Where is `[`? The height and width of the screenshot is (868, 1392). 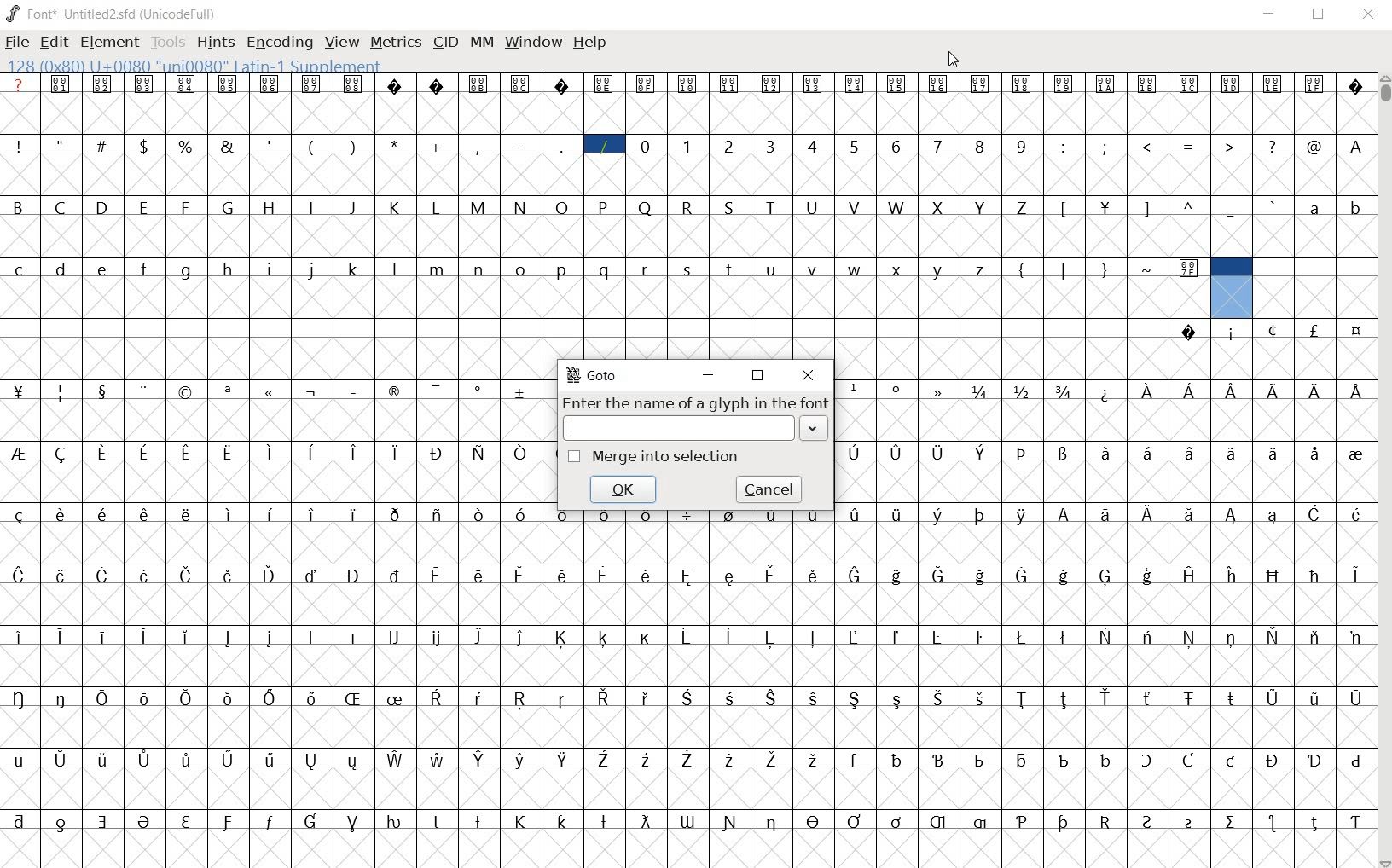
[ is located at coordinates (1064, 207).